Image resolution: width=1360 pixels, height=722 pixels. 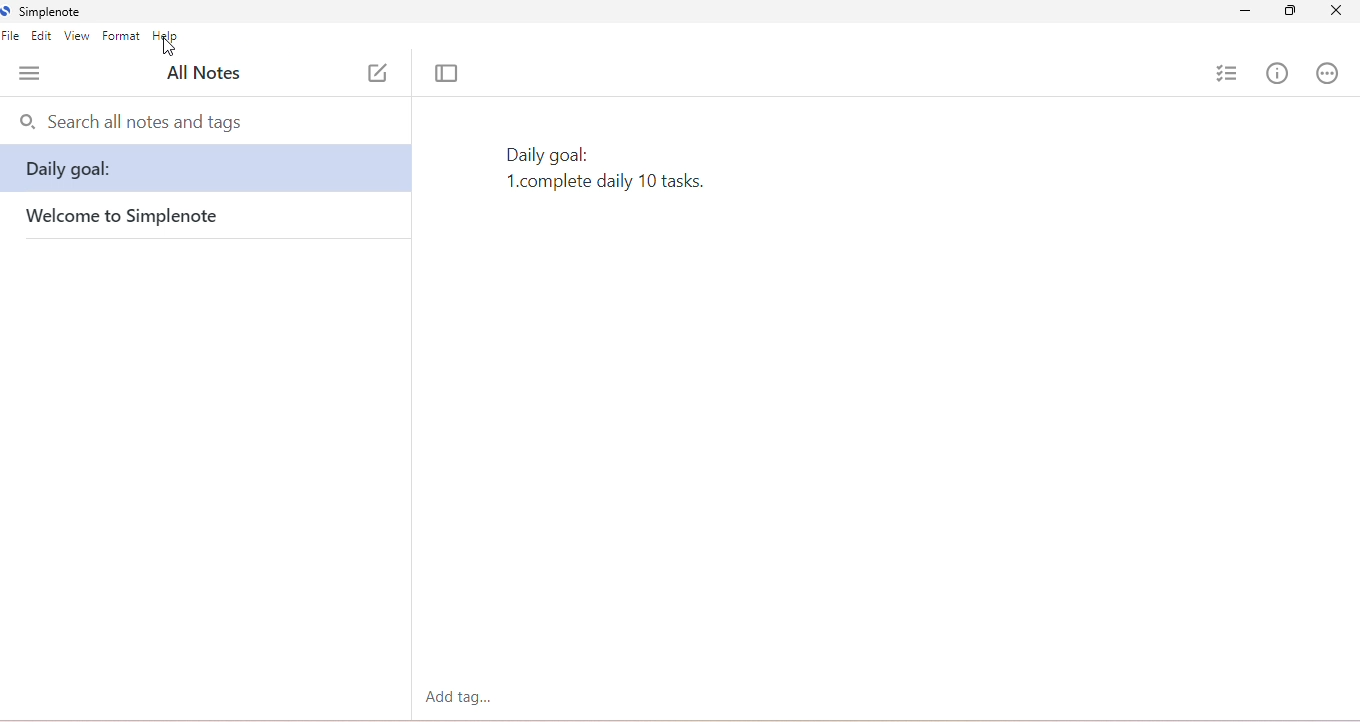 I want to click on maximize, so click(x=1291, y=13).